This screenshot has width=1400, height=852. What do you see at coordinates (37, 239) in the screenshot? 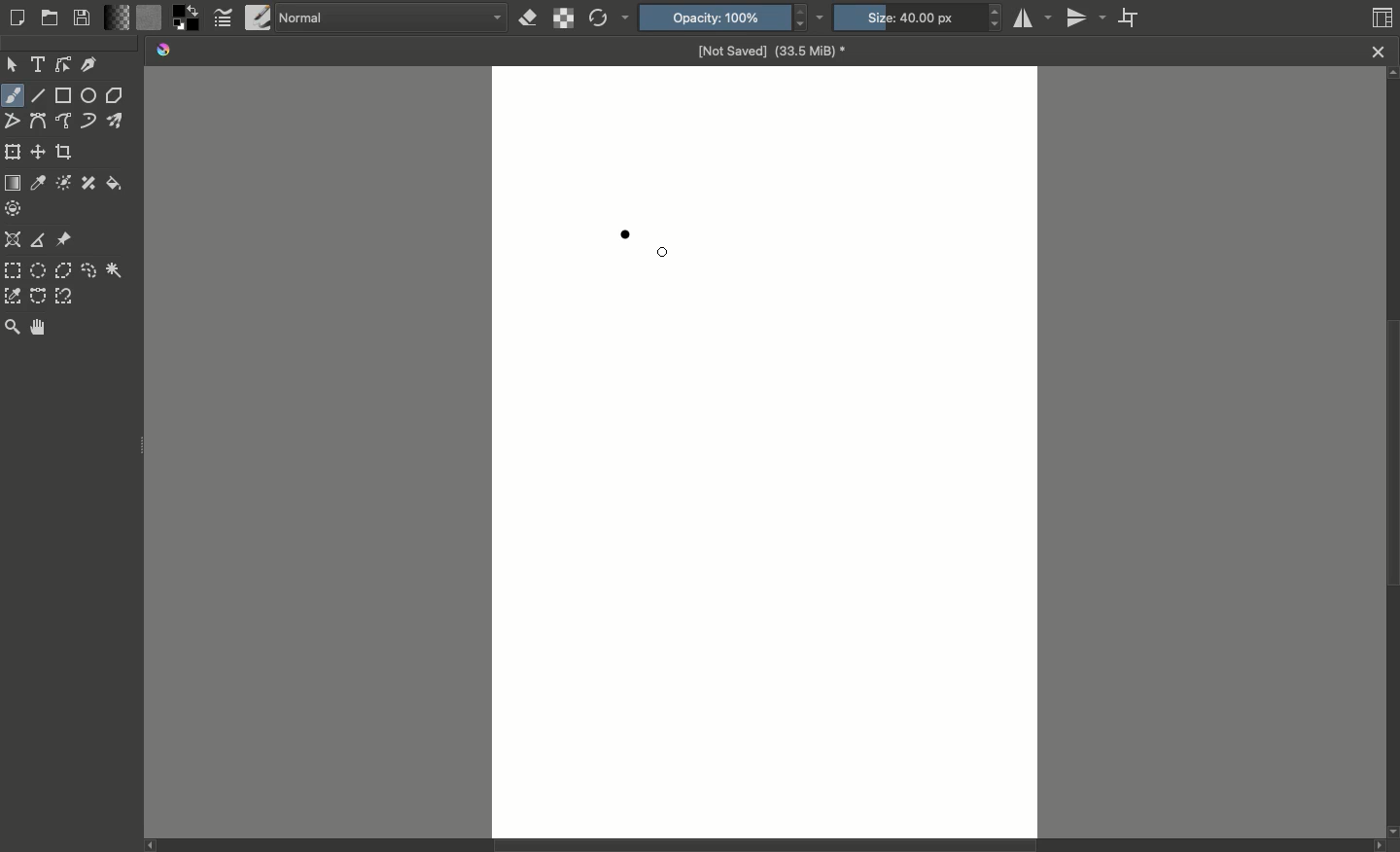
I see `Measure the distance between two points` at bounding box center [37, 239].